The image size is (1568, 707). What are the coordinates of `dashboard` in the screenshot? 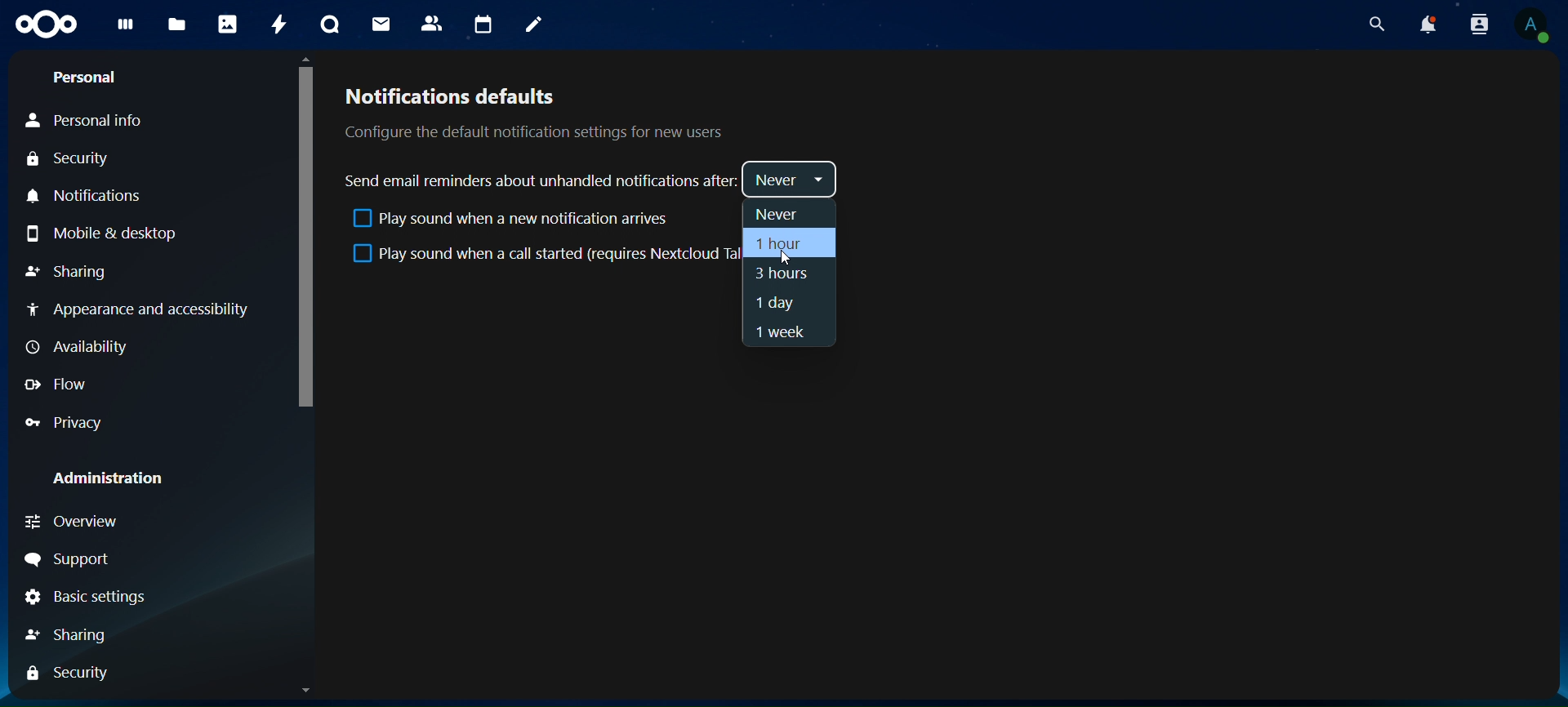 It's located at (127, 27).